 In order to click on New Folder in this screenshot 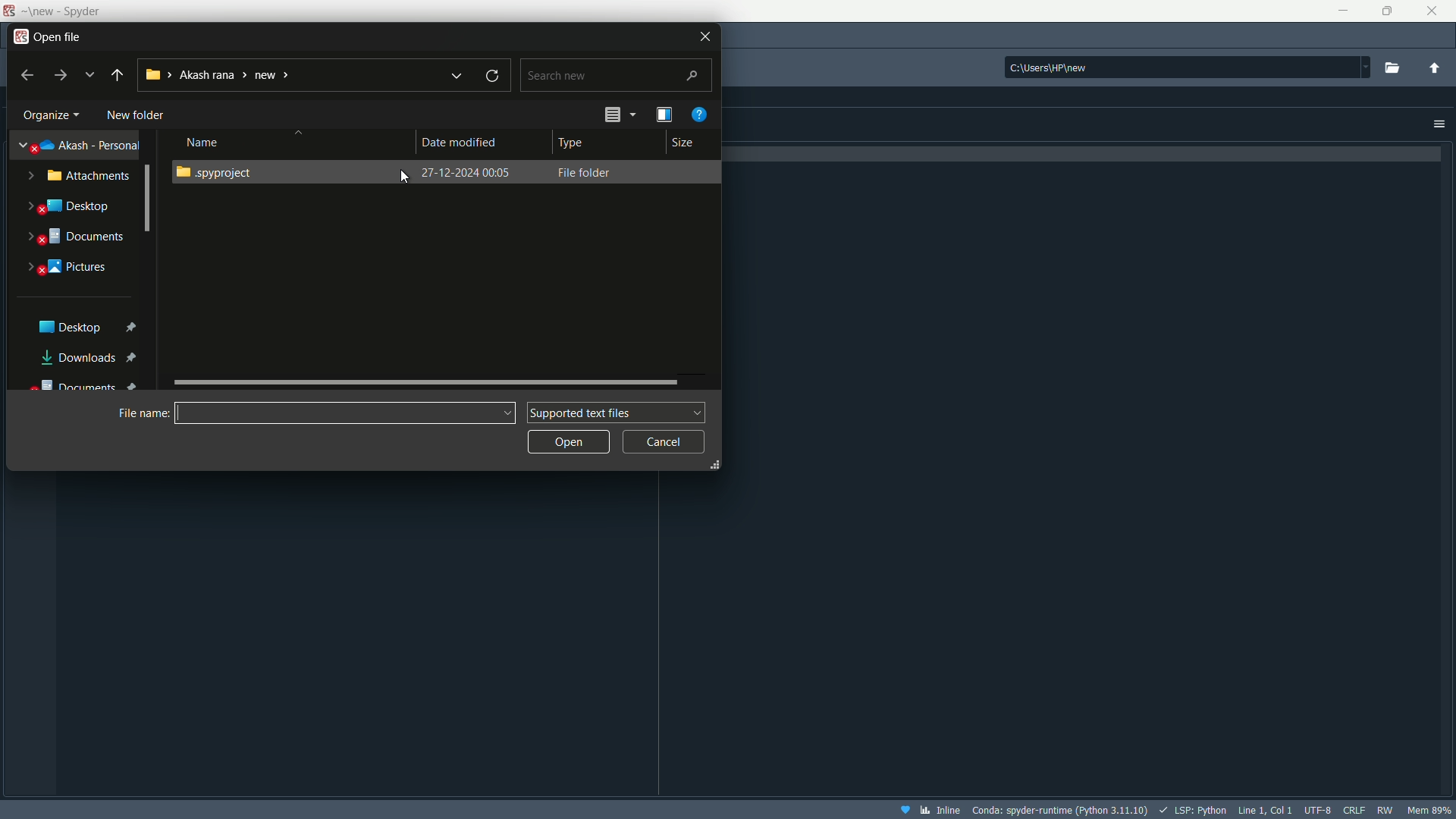, I will do `click(139, 115)`.